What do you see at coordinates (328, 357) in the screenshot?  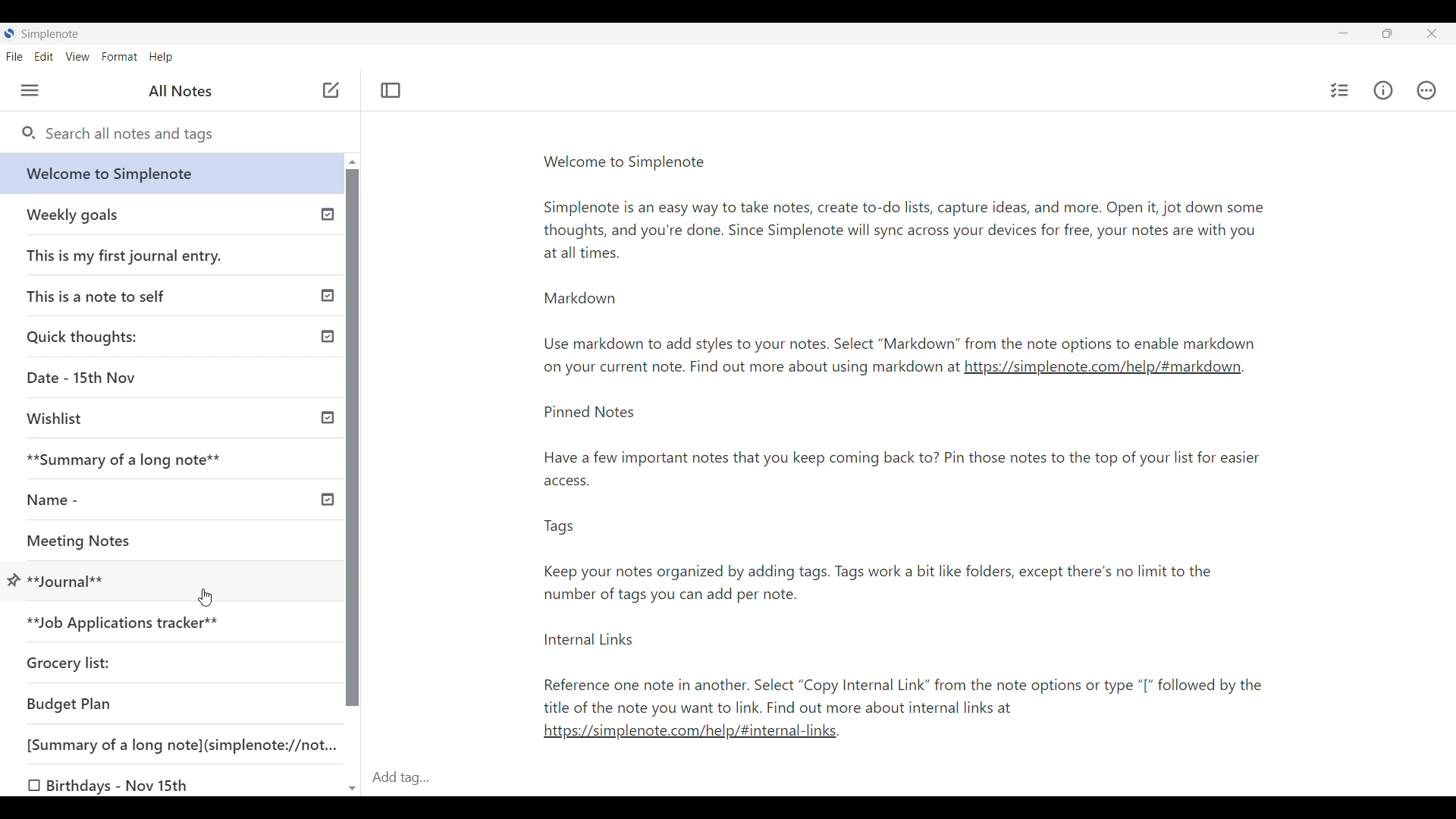 I see `Published notes indicated by check icon` at bounding box center [328, 357].